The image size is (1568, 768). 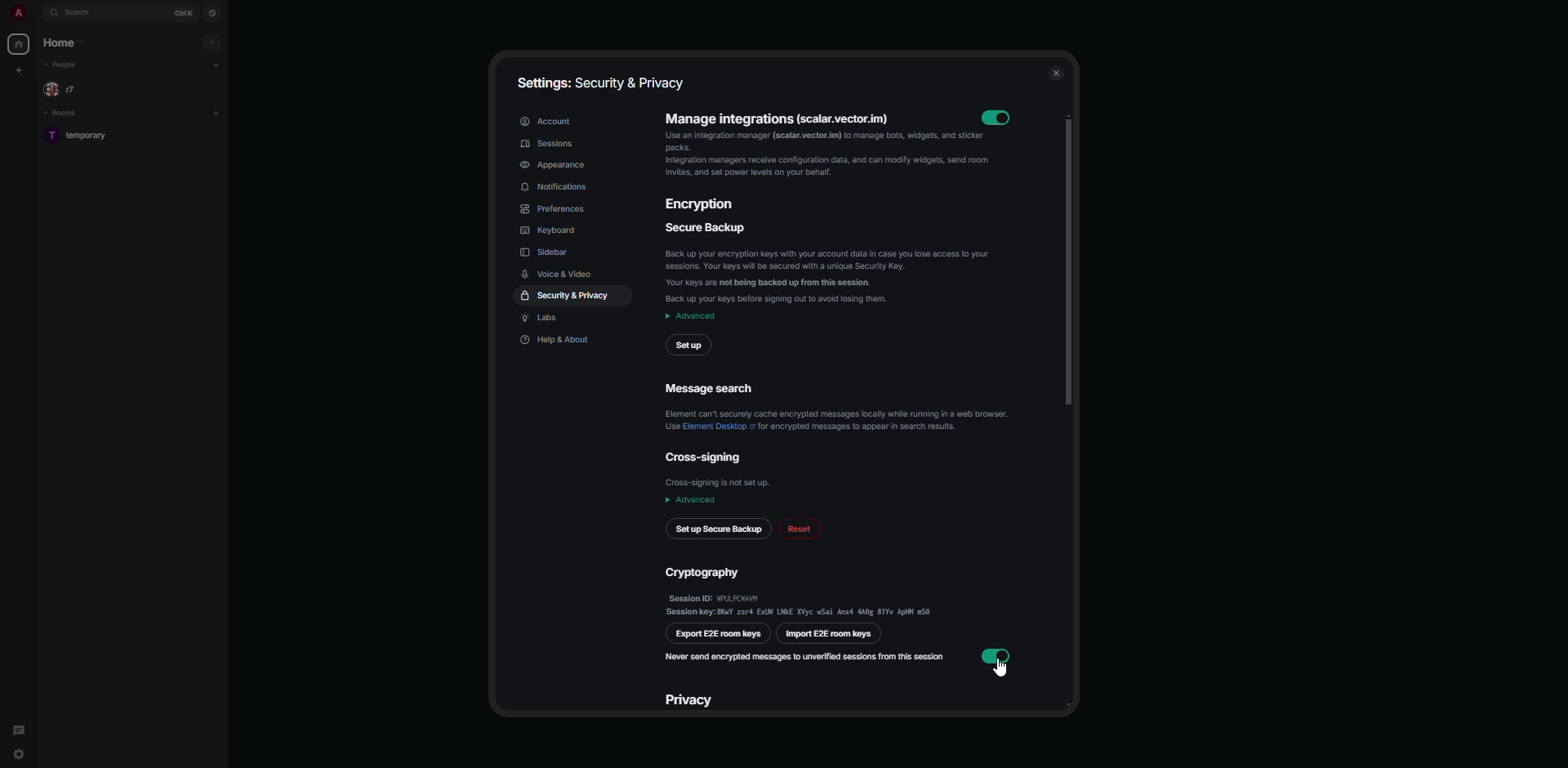 What do you see at coordinates (1002, 669) in the screenshot?
I see `cursor` at bounding box center [1002, 669].